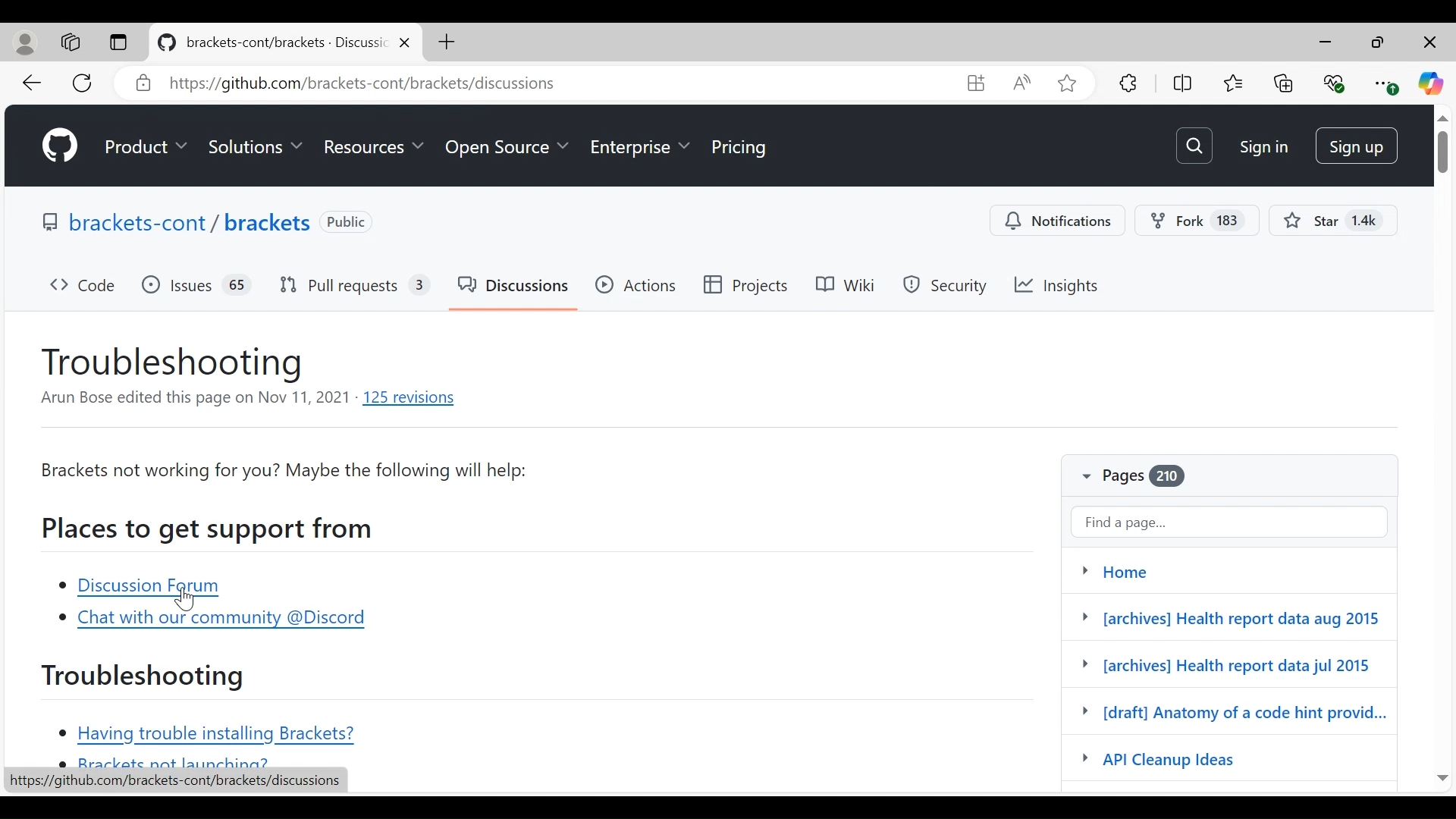 The width and height of the screenshot is (1456, 819). Describe the element at coordinates (1431, 43) in the screenshot. I see `Close ` at that location.